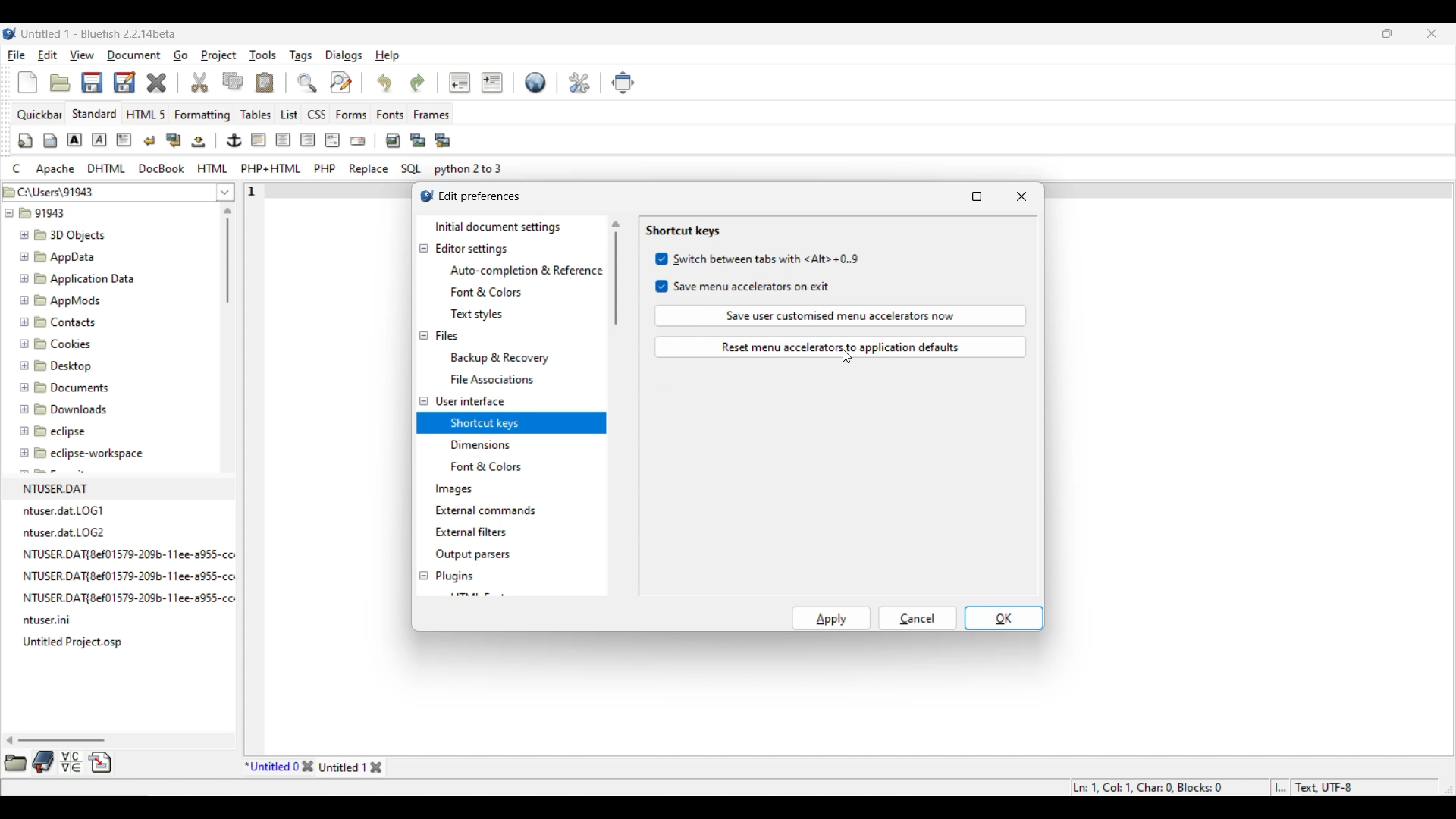 This screenshot has width=1456, height=819. What do you see at coordinates (94, 113) in the screenshot?
I see `Standard` at bounding box center [94, 113].